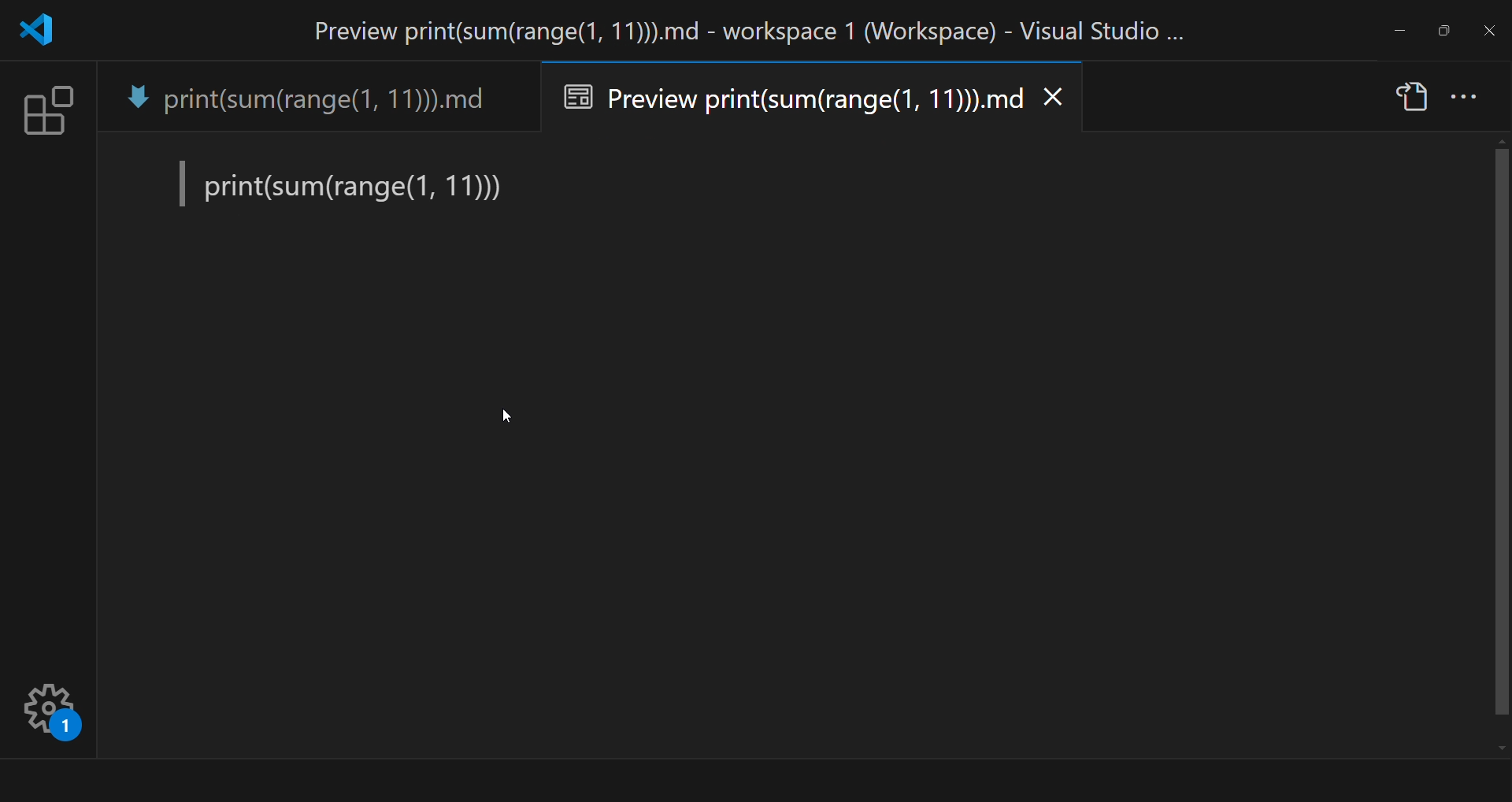  Describe the element at coordinates (747, 33) in the screenshot. I see `title` at that location.